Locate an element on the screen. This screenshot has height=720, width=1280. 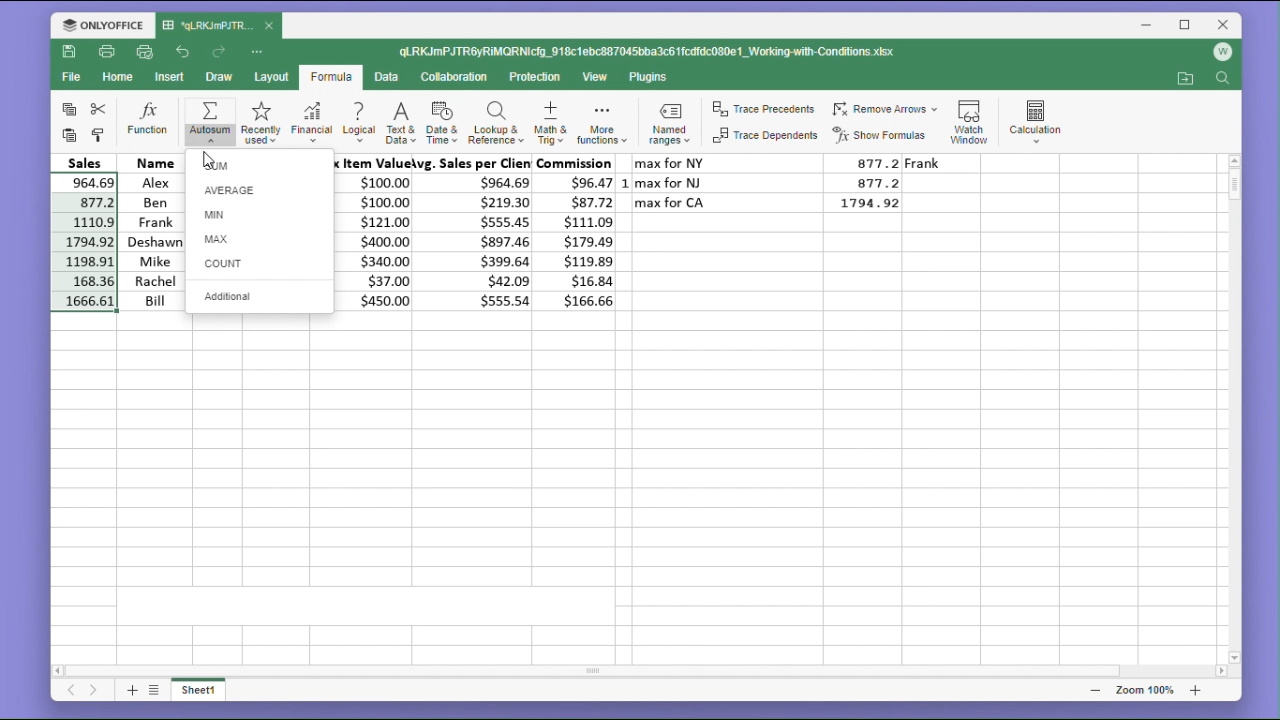
logical is located at coordinates (358, 124).